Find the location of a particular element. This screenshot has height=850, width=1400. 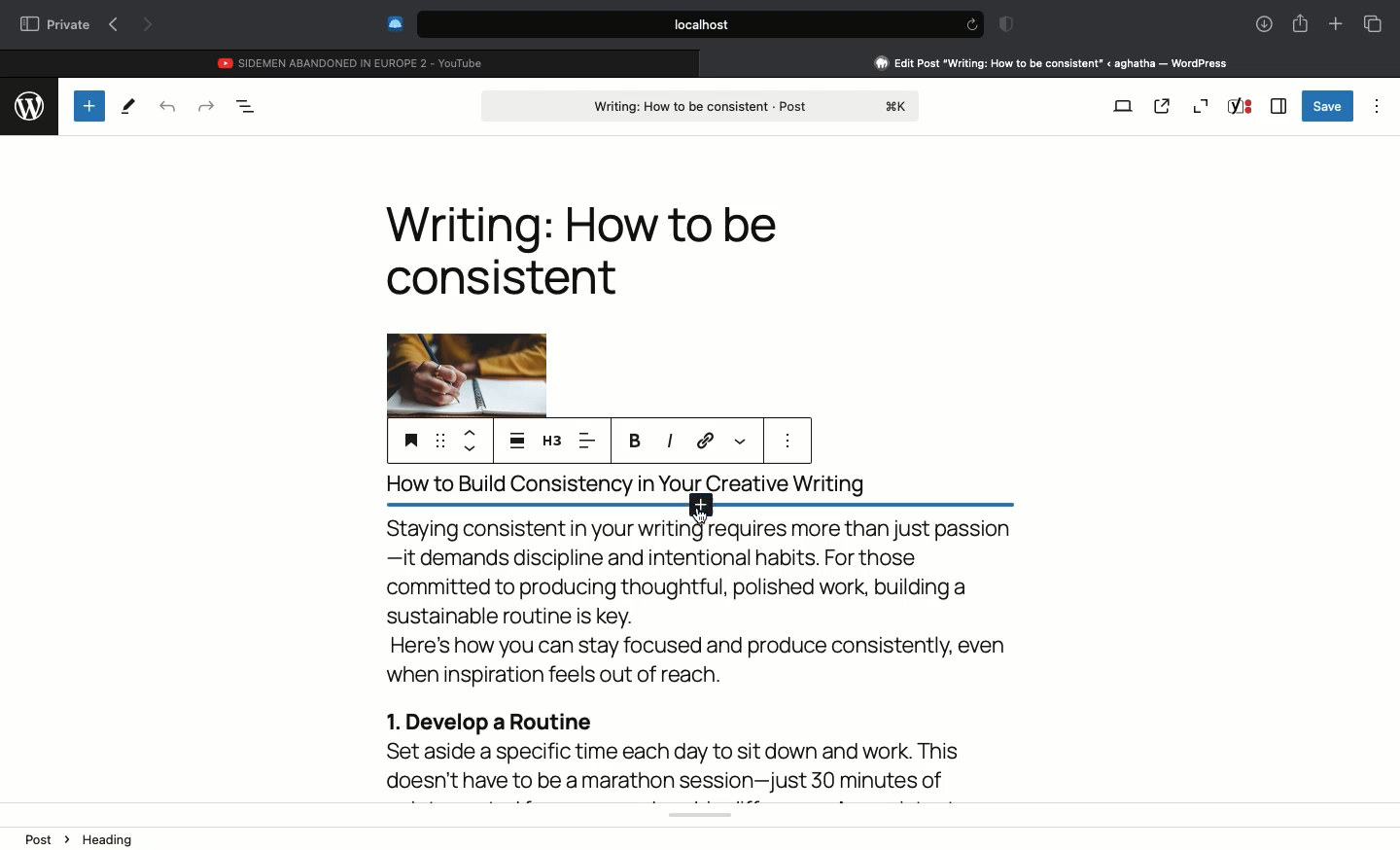

Tools is located at coordinates (128, 107).